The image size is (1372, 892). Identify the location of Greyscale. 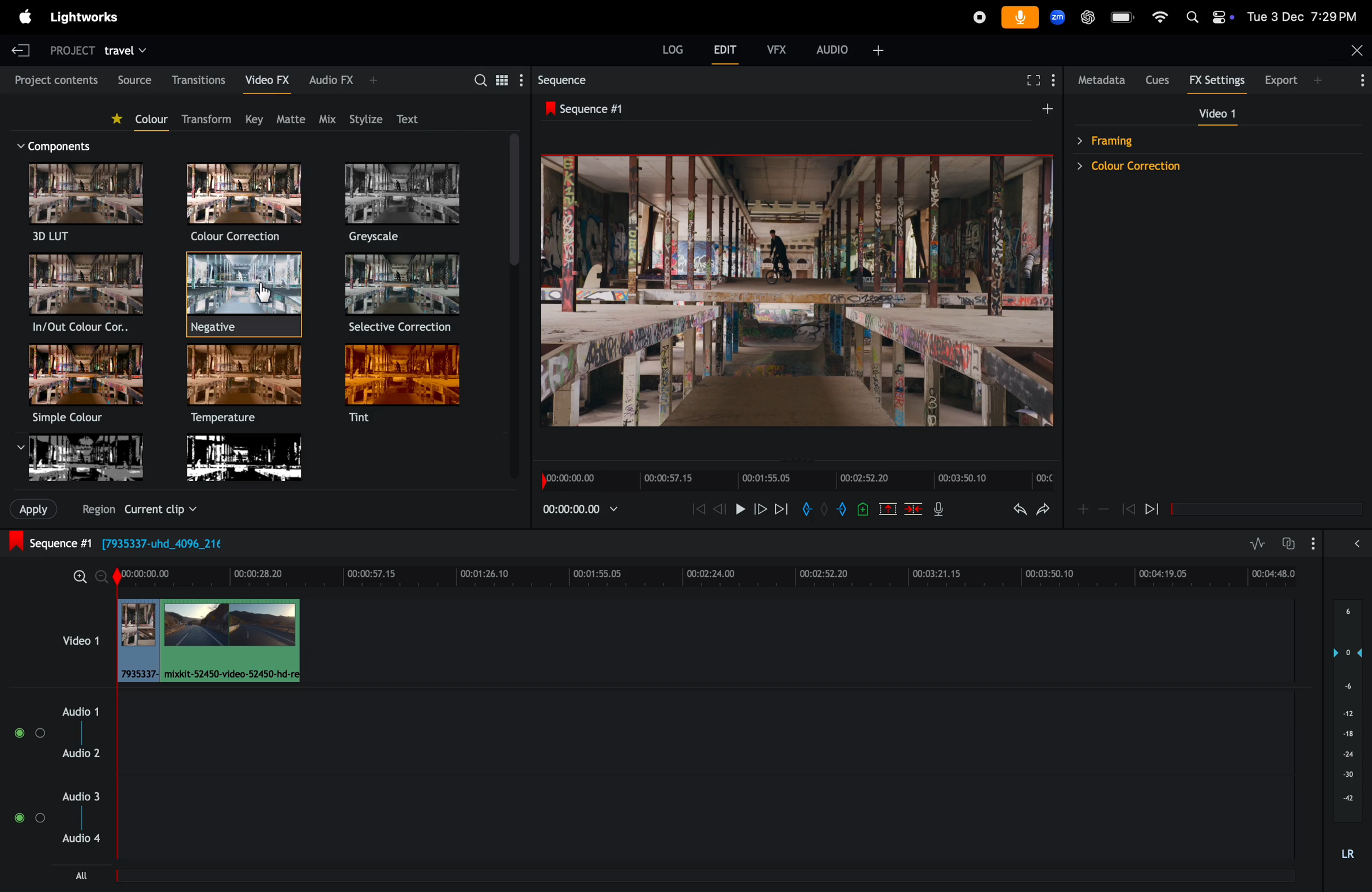
(404, 204).